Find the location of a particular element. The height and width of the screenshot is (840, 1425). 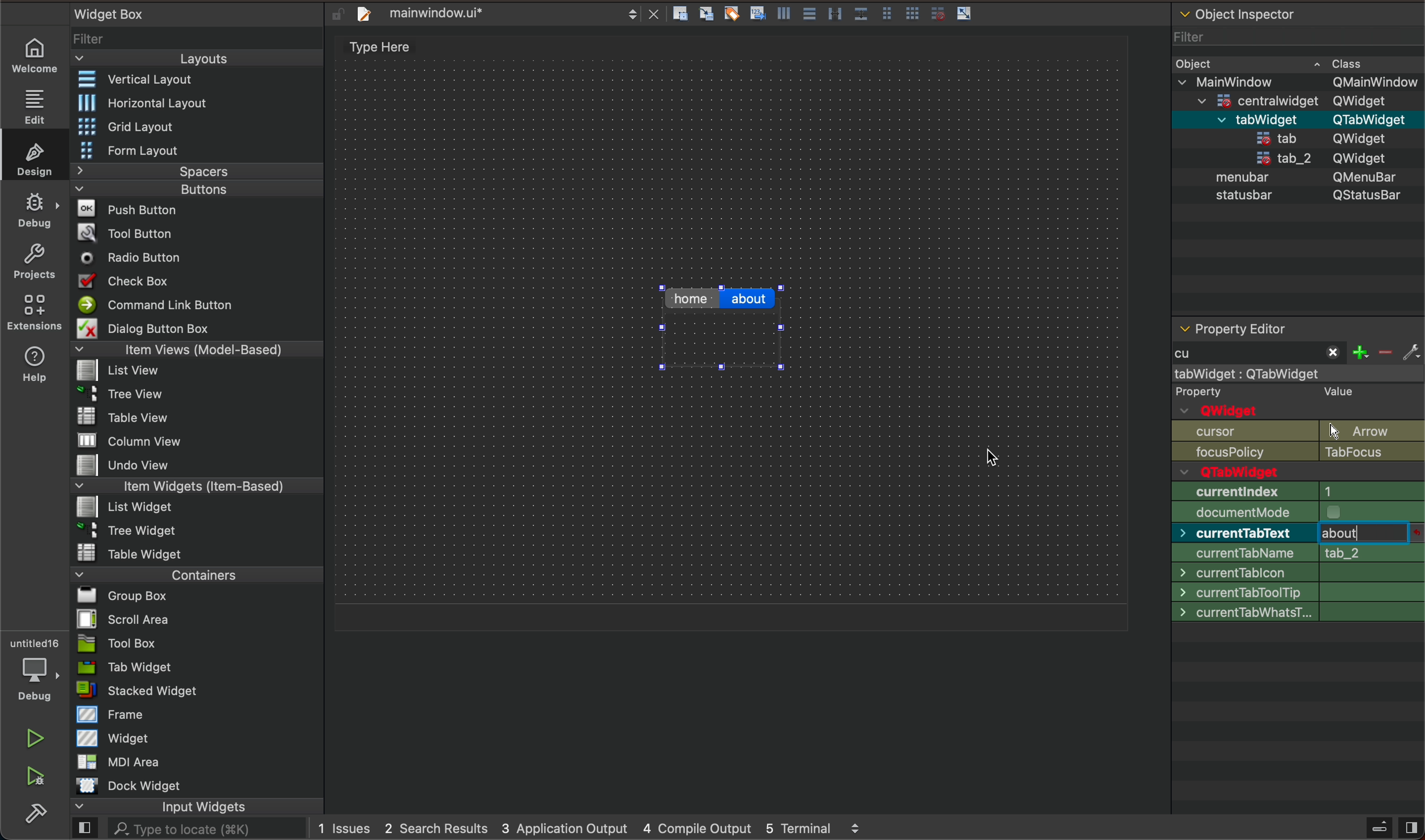

geometry is located at coordinates (1300, 491).